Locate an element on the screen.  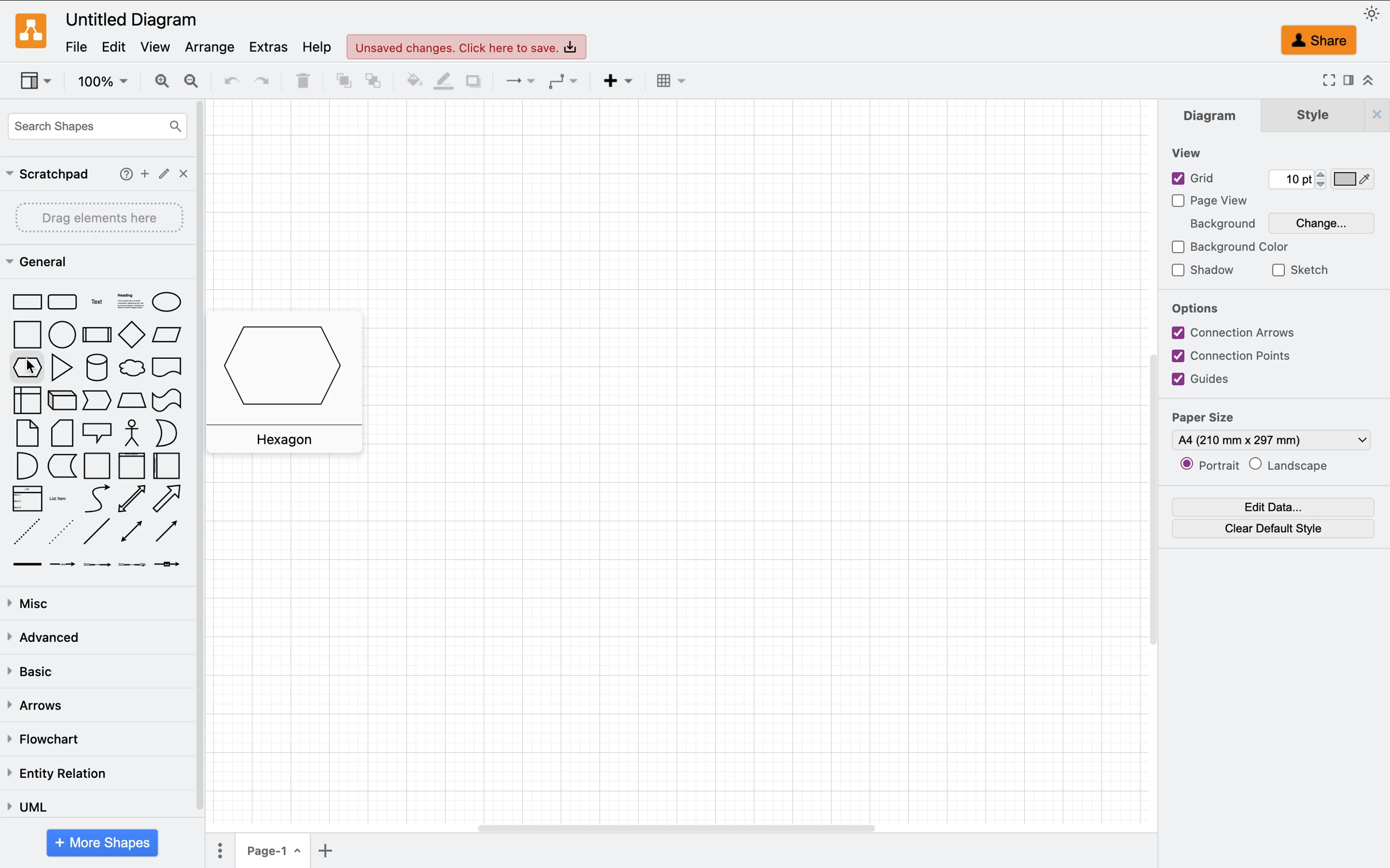
arrange is located at coordinates (210, 45).